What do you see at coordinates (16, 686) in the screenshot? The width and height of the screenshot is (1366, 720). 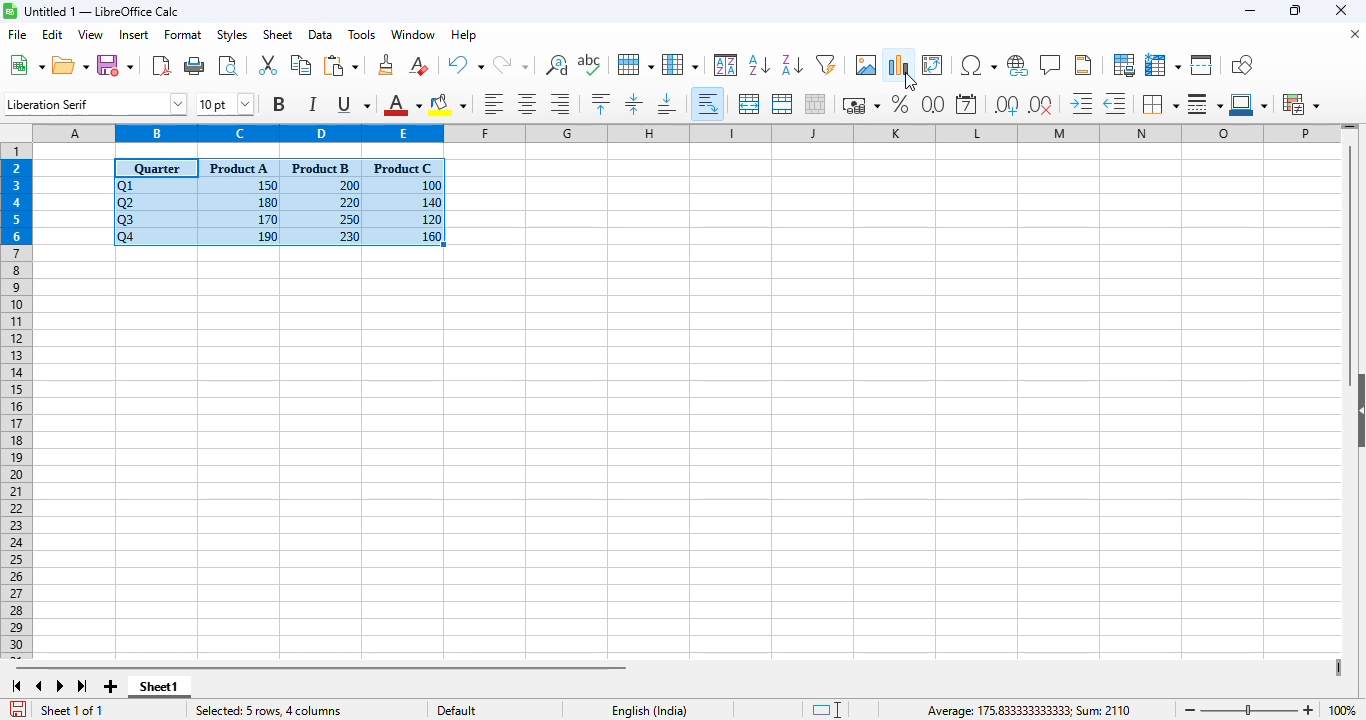 I see `scroll to first sheet` at bounding box center [16, 686].